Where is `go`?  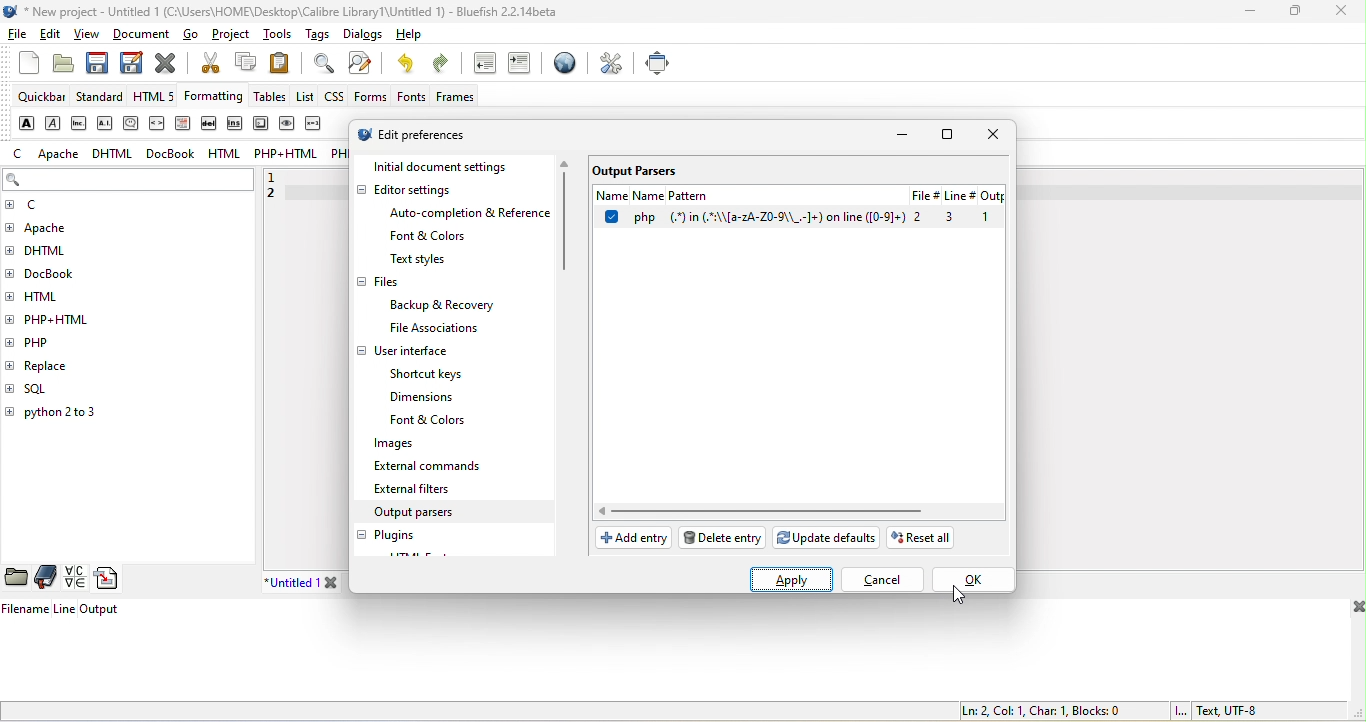
go is located at coordinates (197, 37).